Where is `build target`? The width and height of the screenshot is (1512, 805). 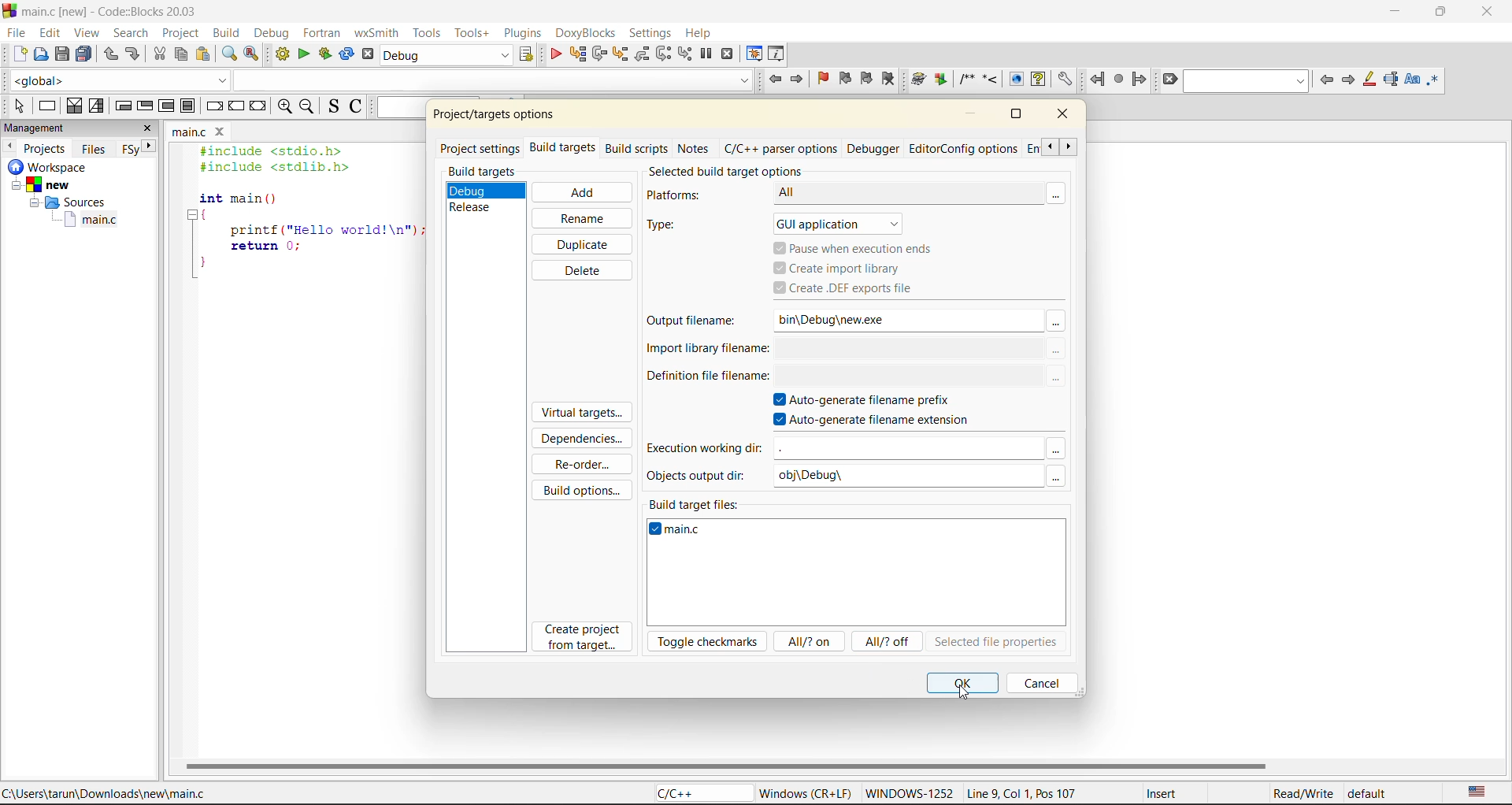 build target is located at coordinates (447, 56).